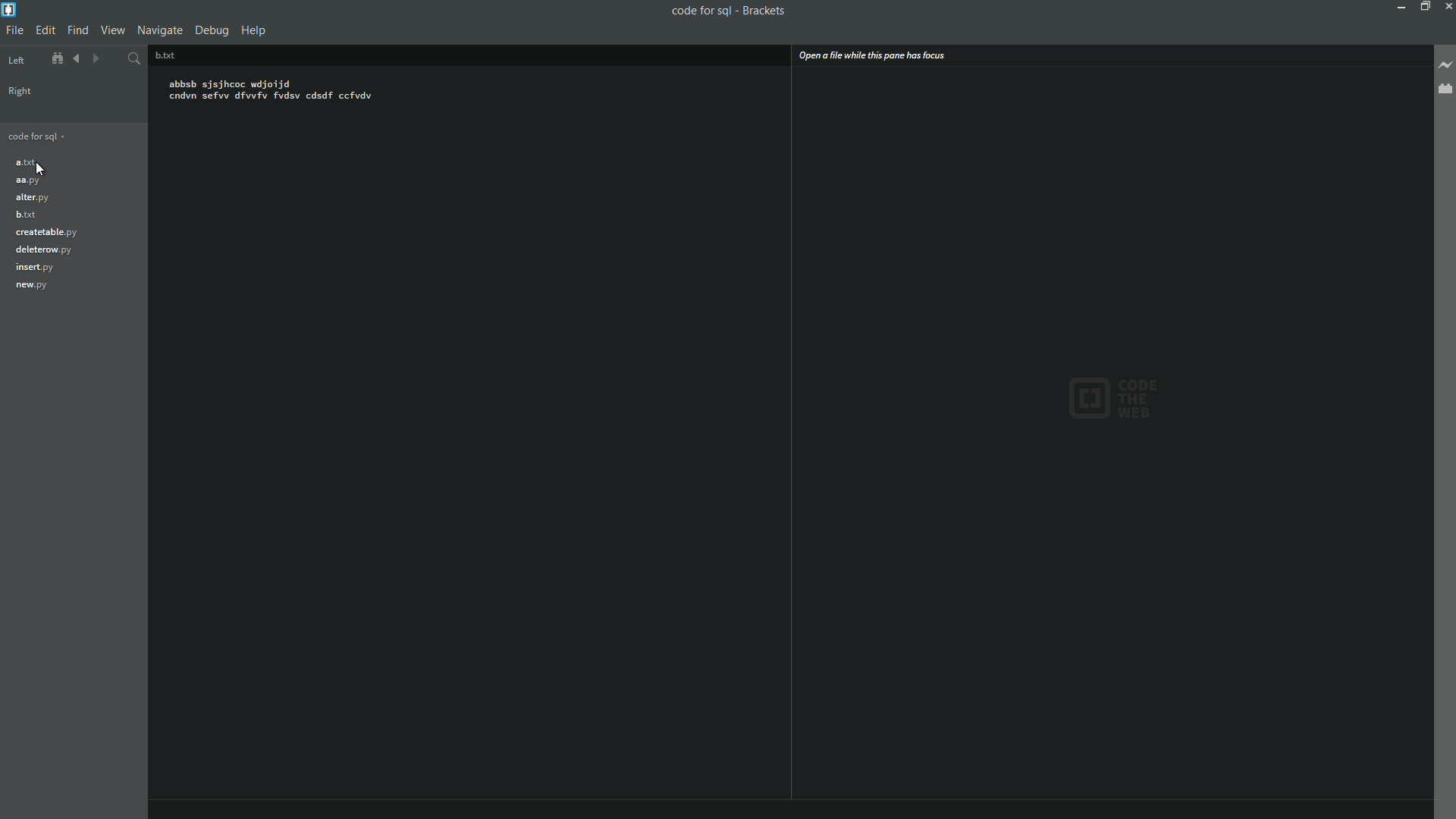 This screenshot has width=1456, height=819. I want to click on navigate backward, so click(100, 58).